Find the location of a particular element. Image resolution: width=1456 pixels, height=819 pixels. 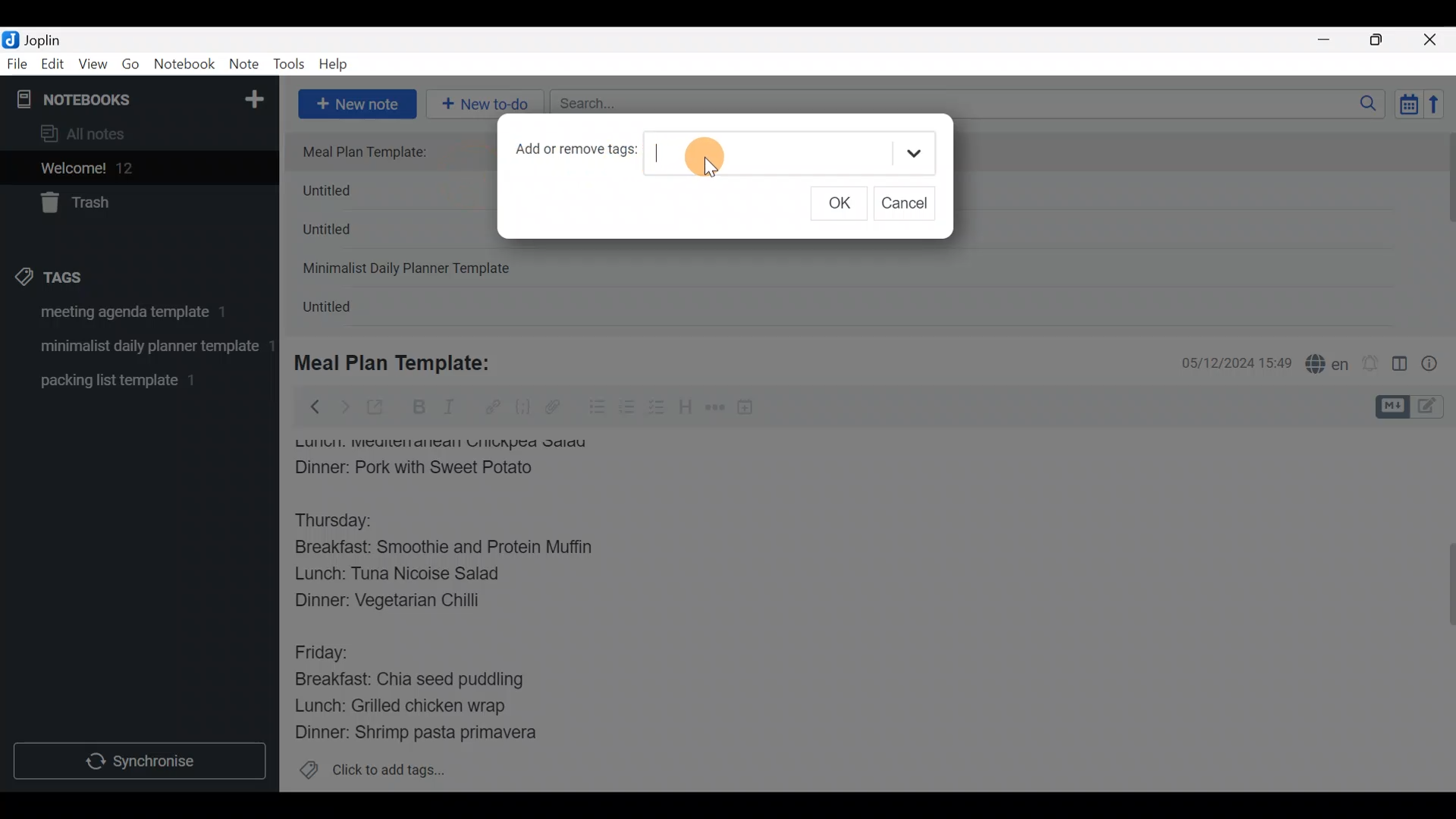

Trash is located at coordinates (130, 204).